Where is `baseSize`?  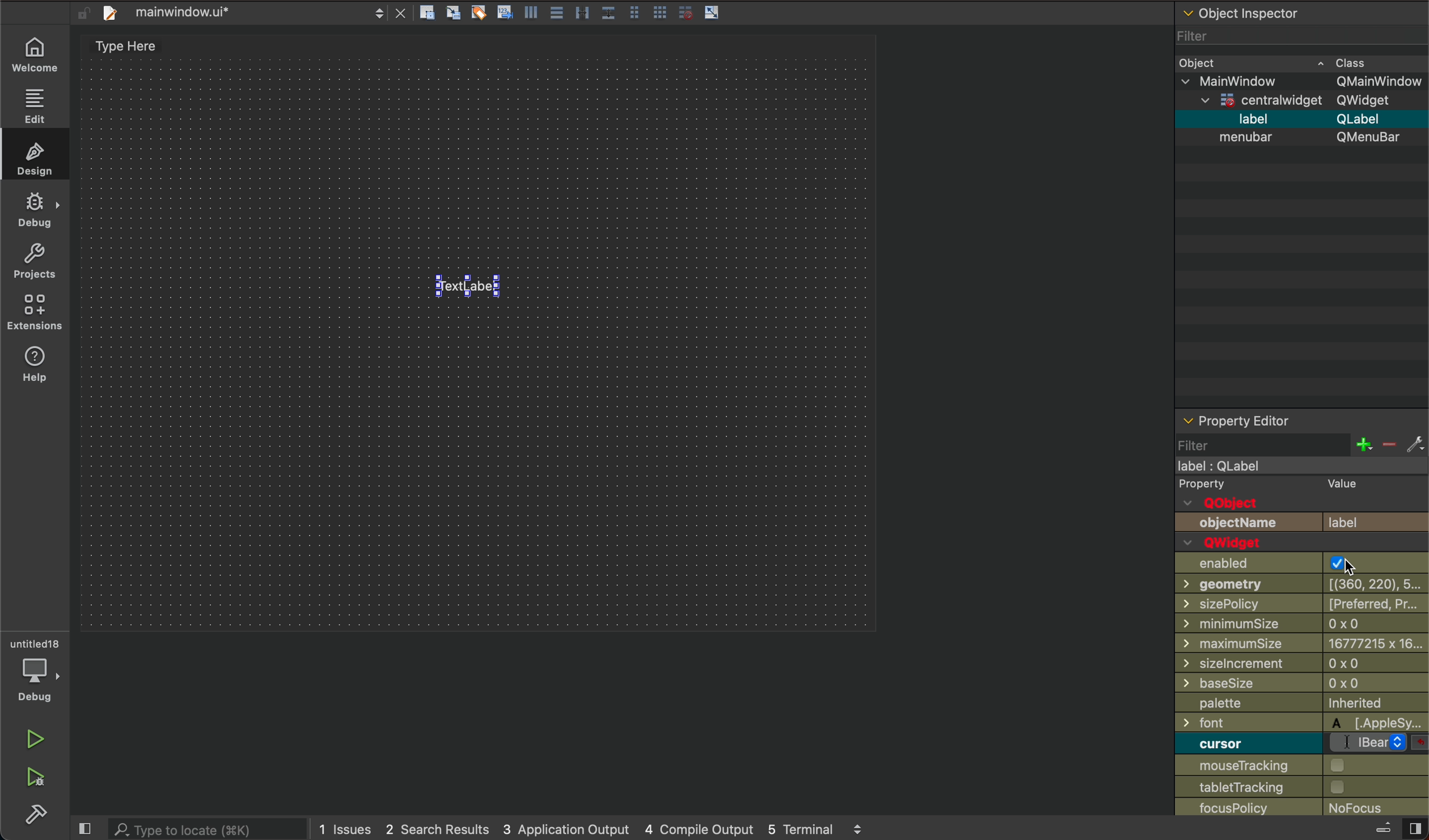 baseSize is located at coordinates (1236, 682).